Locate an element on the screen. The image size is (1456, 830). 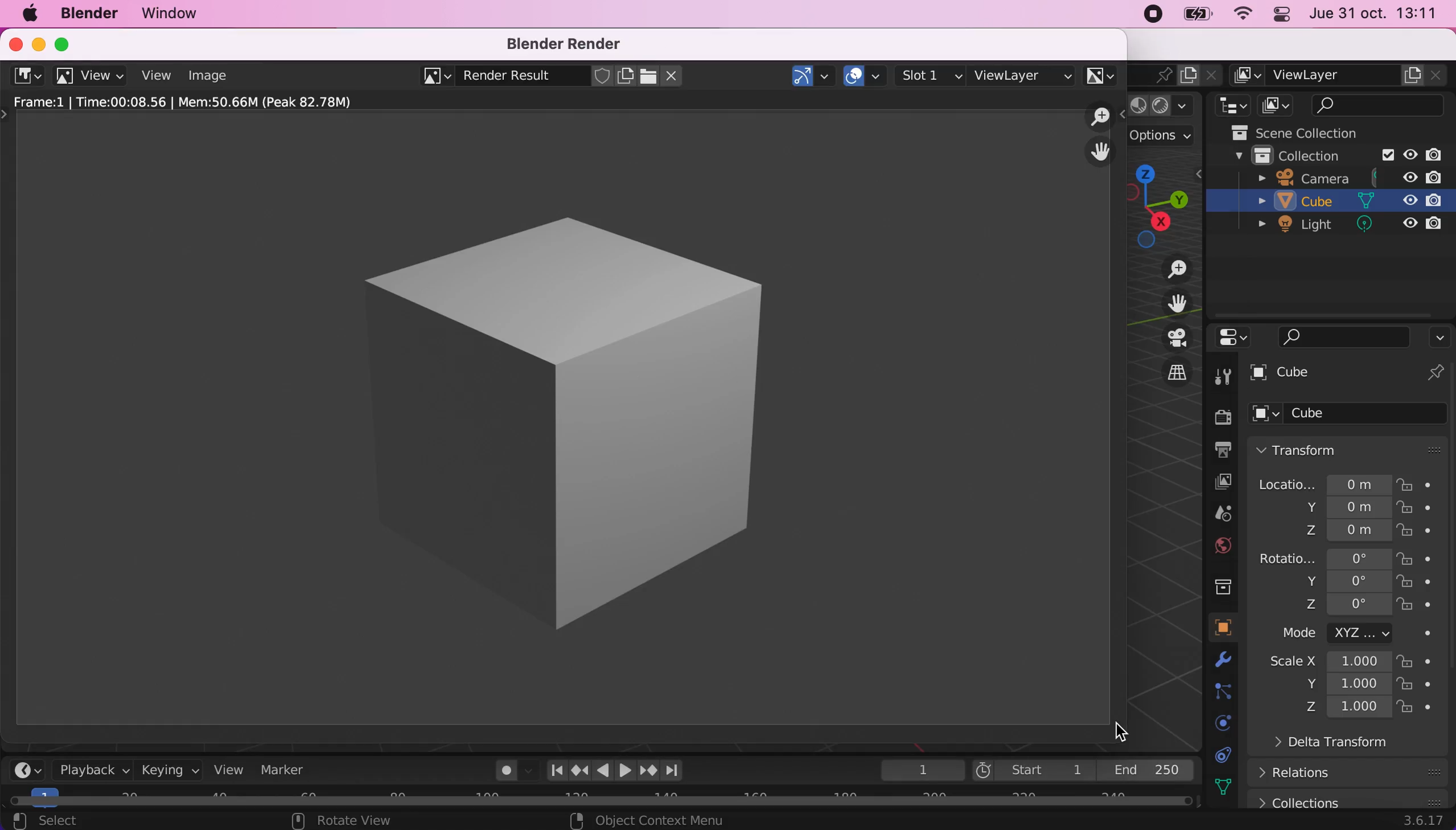
collection is located at coordinates (1328, 154).